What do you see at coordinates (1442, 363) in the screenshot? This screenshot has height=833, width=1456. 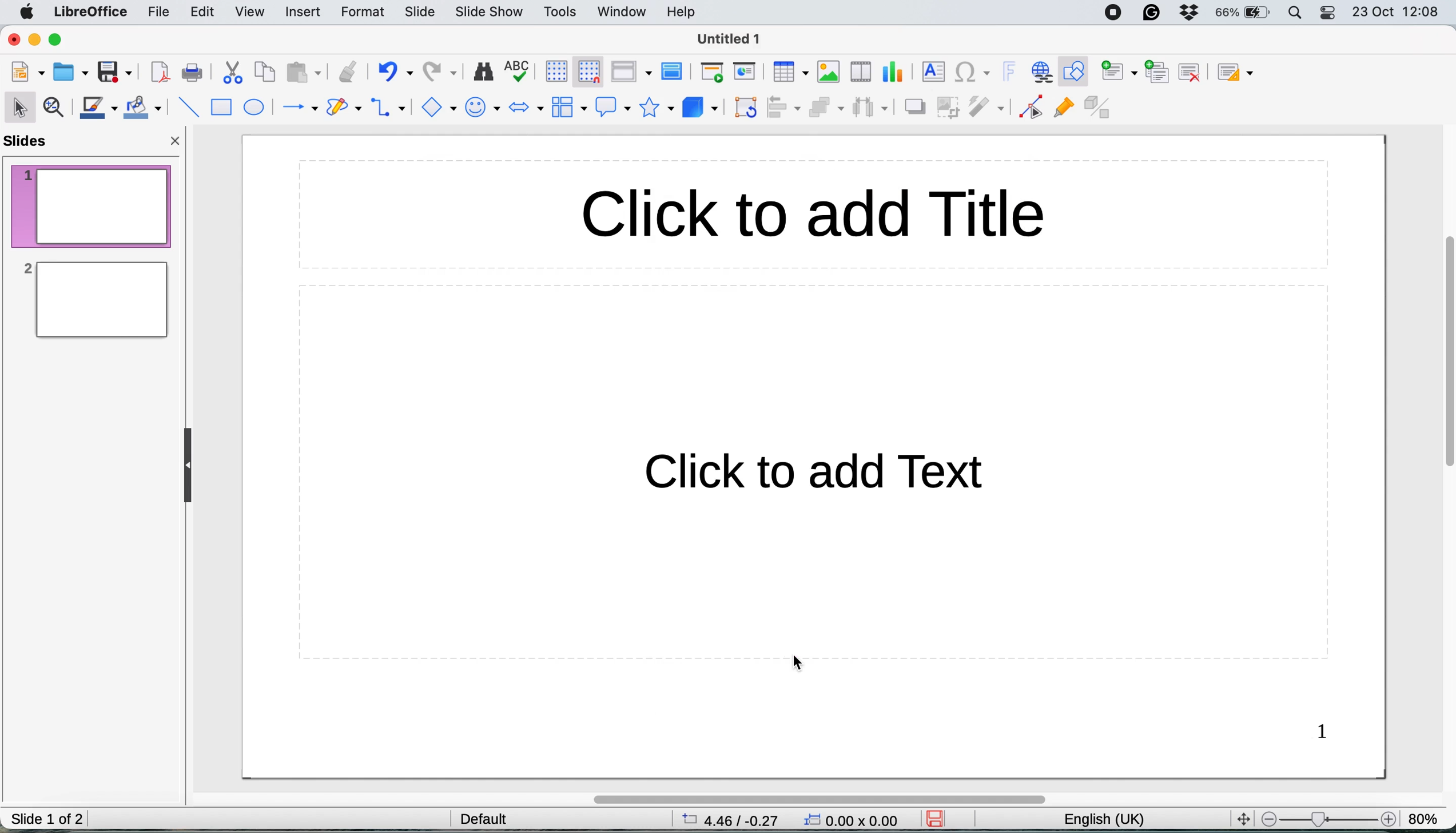 I see `vertical scroll bar` at bounding box center [1442, 363].